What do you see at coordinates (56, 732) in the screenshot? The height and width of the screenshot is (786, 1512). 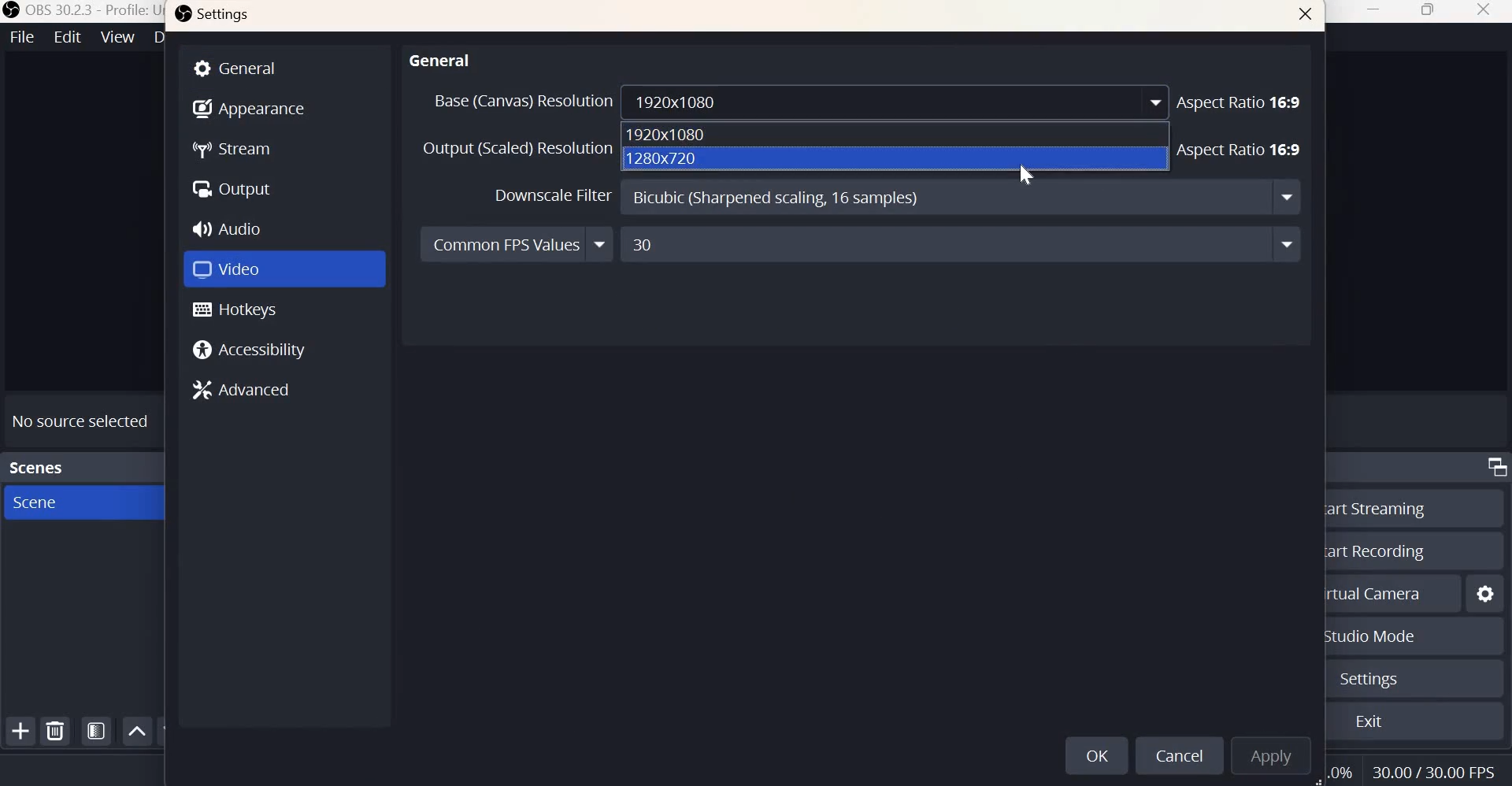 I see `remove selected scene ` at bounding box center [56, 732].